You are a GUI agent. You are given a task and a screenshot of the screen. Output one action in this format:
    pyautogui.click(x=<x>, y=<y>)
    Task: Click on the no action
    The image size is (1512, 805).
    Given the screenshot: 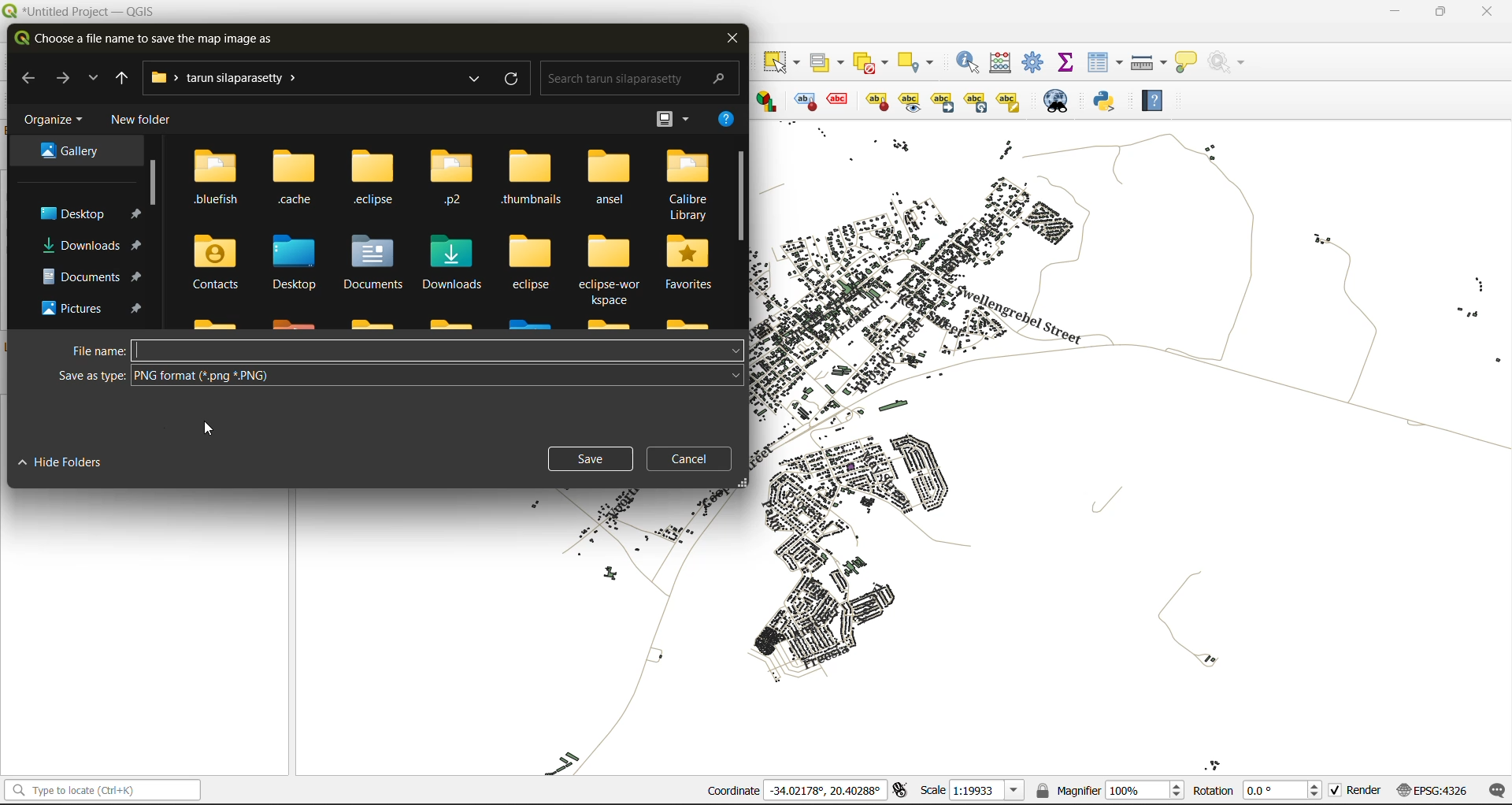 What is the action you would take?
    pyautogui.click(x=1230, y=62)
    